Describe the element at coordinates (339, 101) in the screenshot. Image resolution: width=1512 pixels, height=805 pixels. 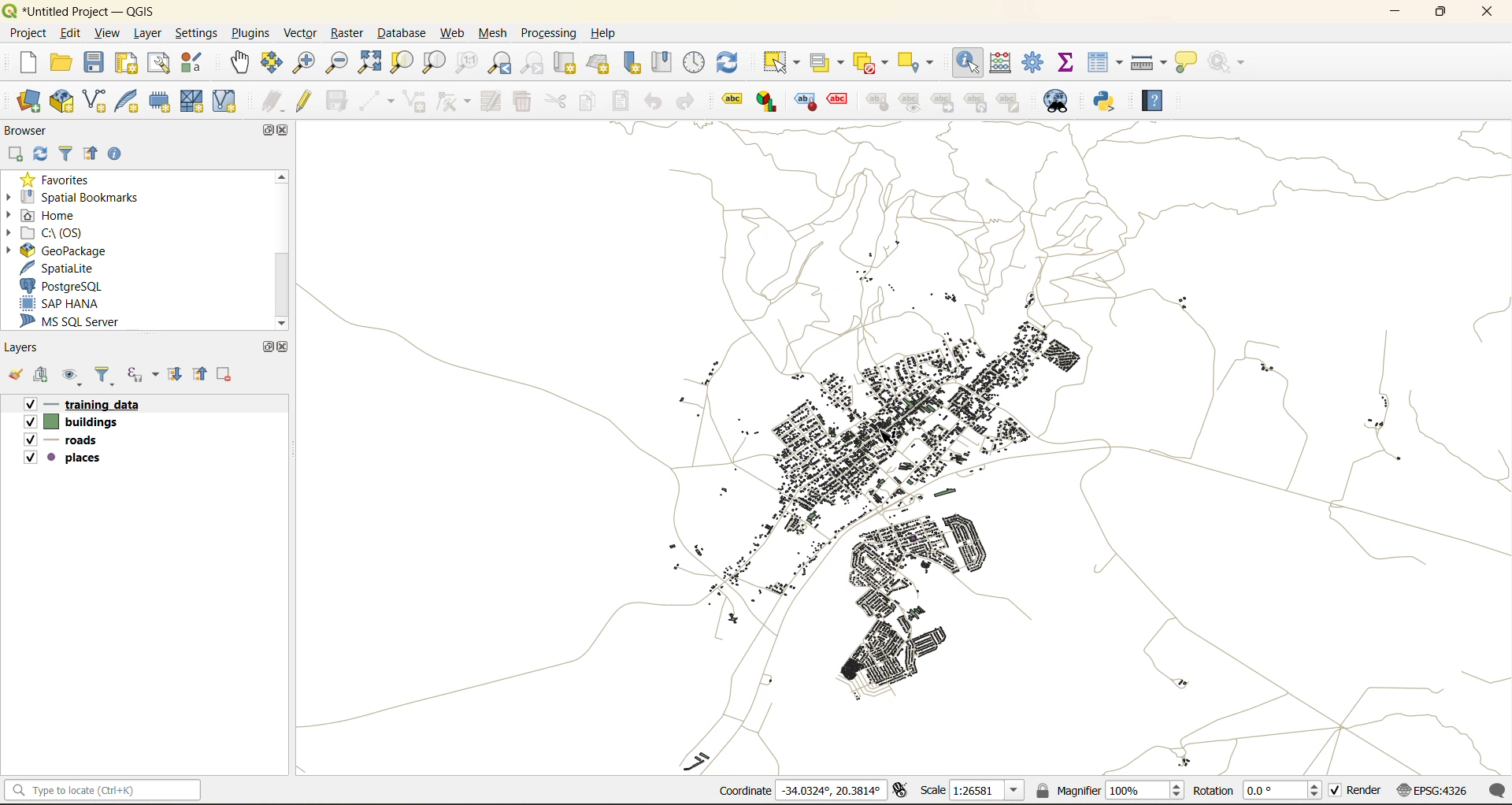
I see `save edits` at that location.